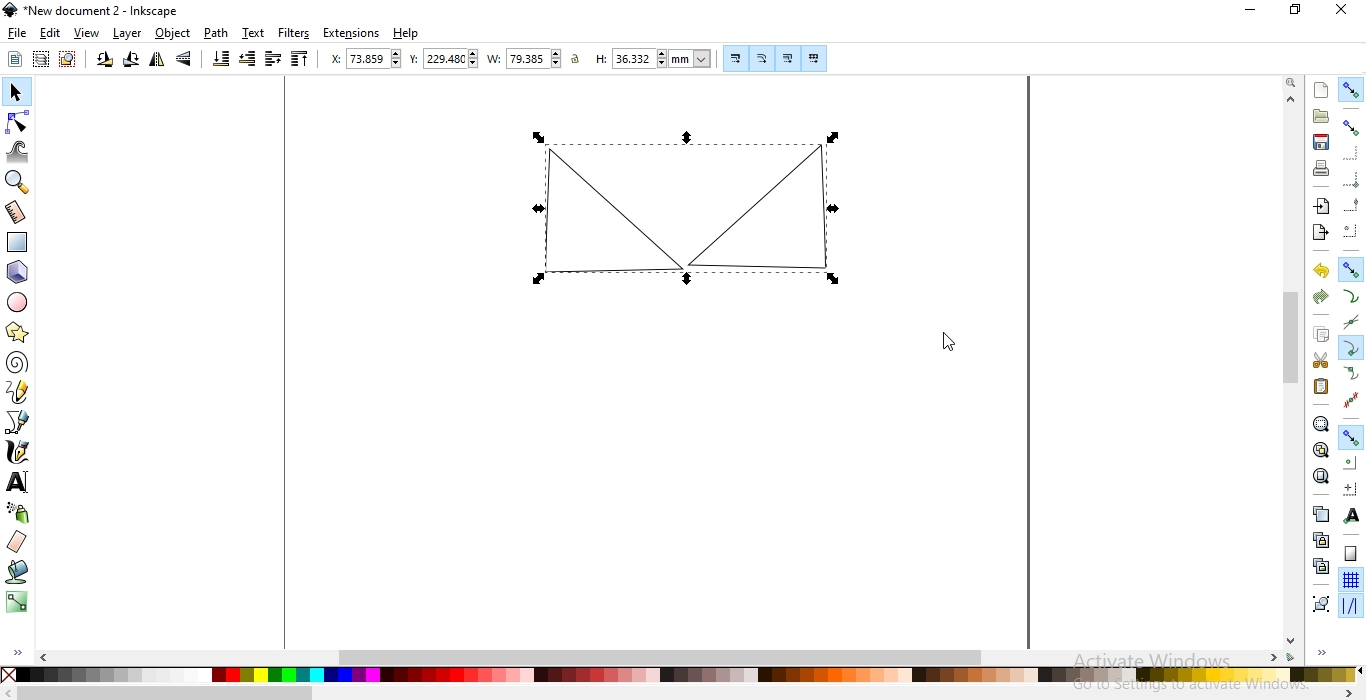 This screenshot has height=700, width=1366. What do you see at coordinates (18, 513) in the screenshot?
I see `spray objects by sculpting or painting` at bounding box center [18, 513].